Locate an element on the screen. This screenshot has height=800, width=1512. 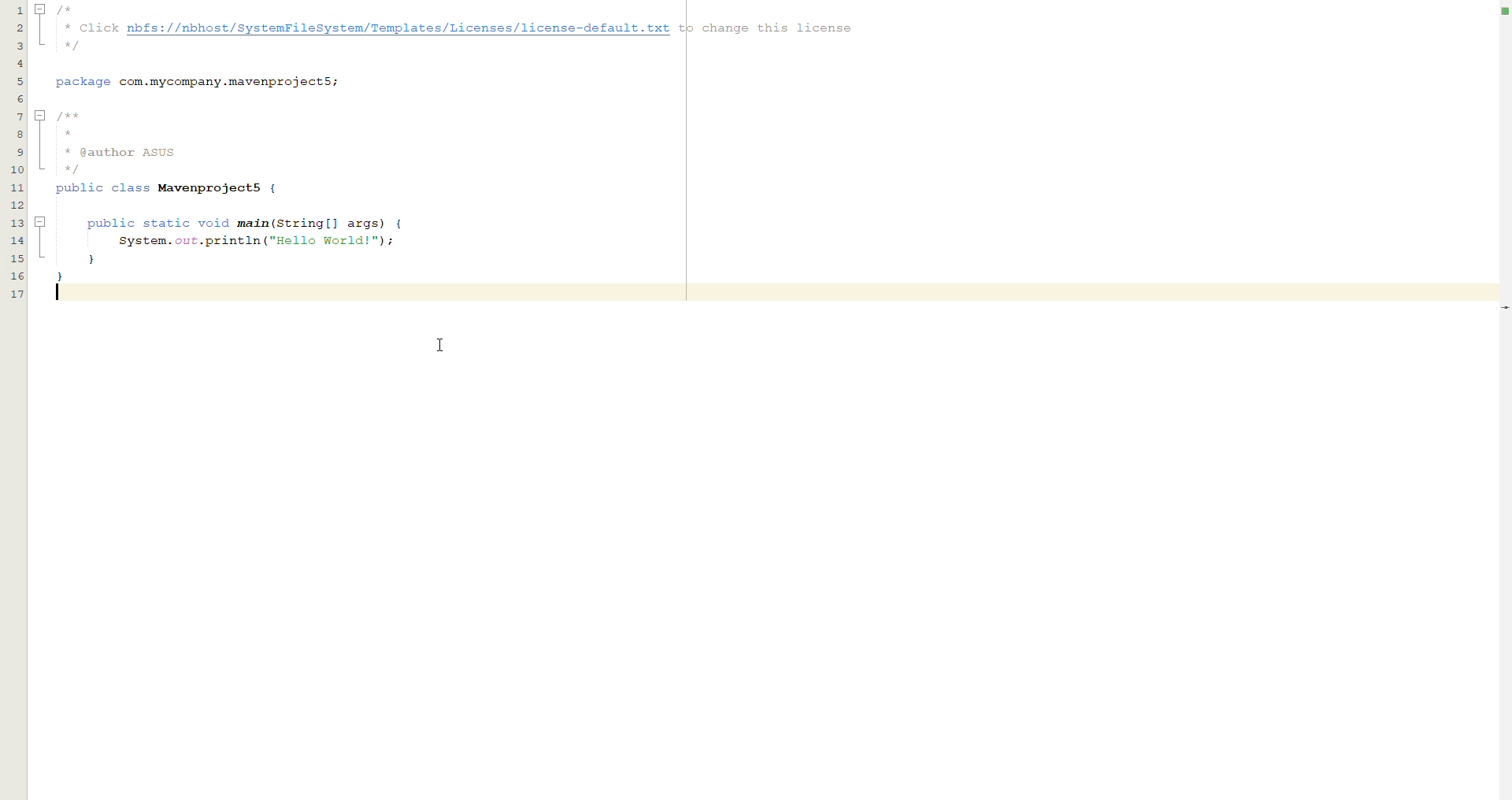
lines of code is located at coordinates (13, 157).